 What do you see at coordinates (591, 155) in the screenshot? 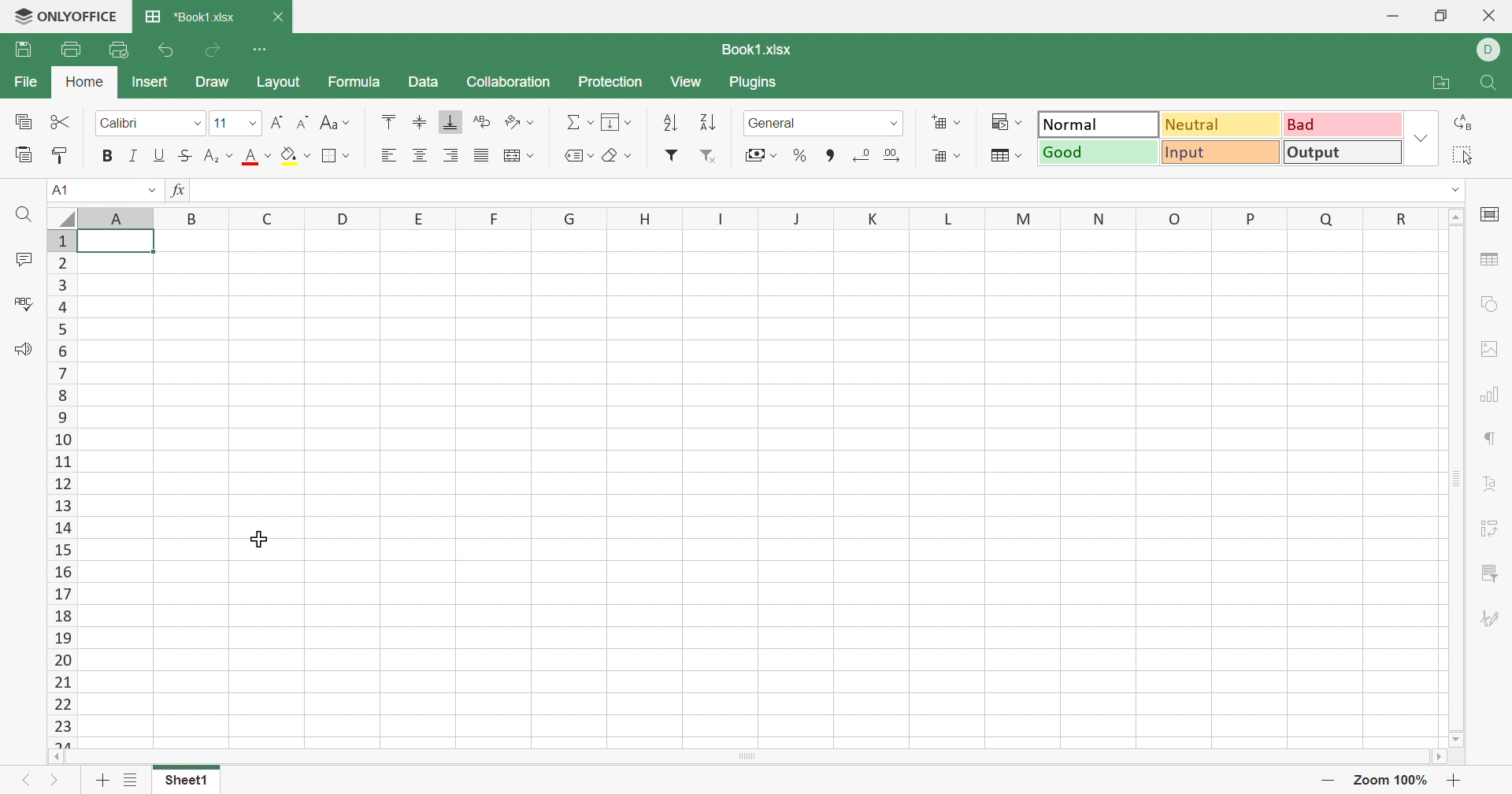
I see `Drop own` at bounding box center [591, 155].